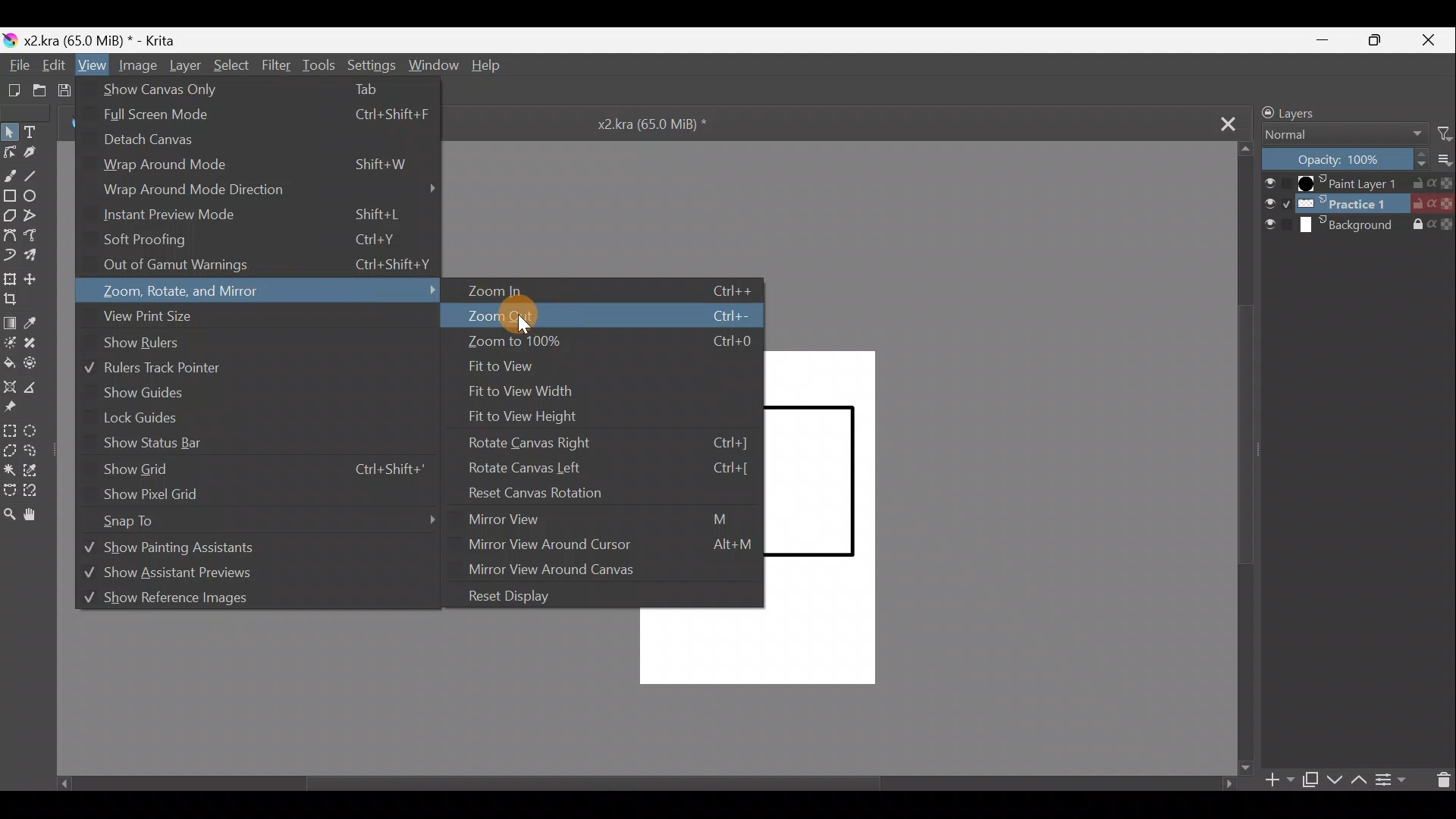  Describe the element at coordinates (34, 216) in the screenshot. I see `Polyline tool` at that location.